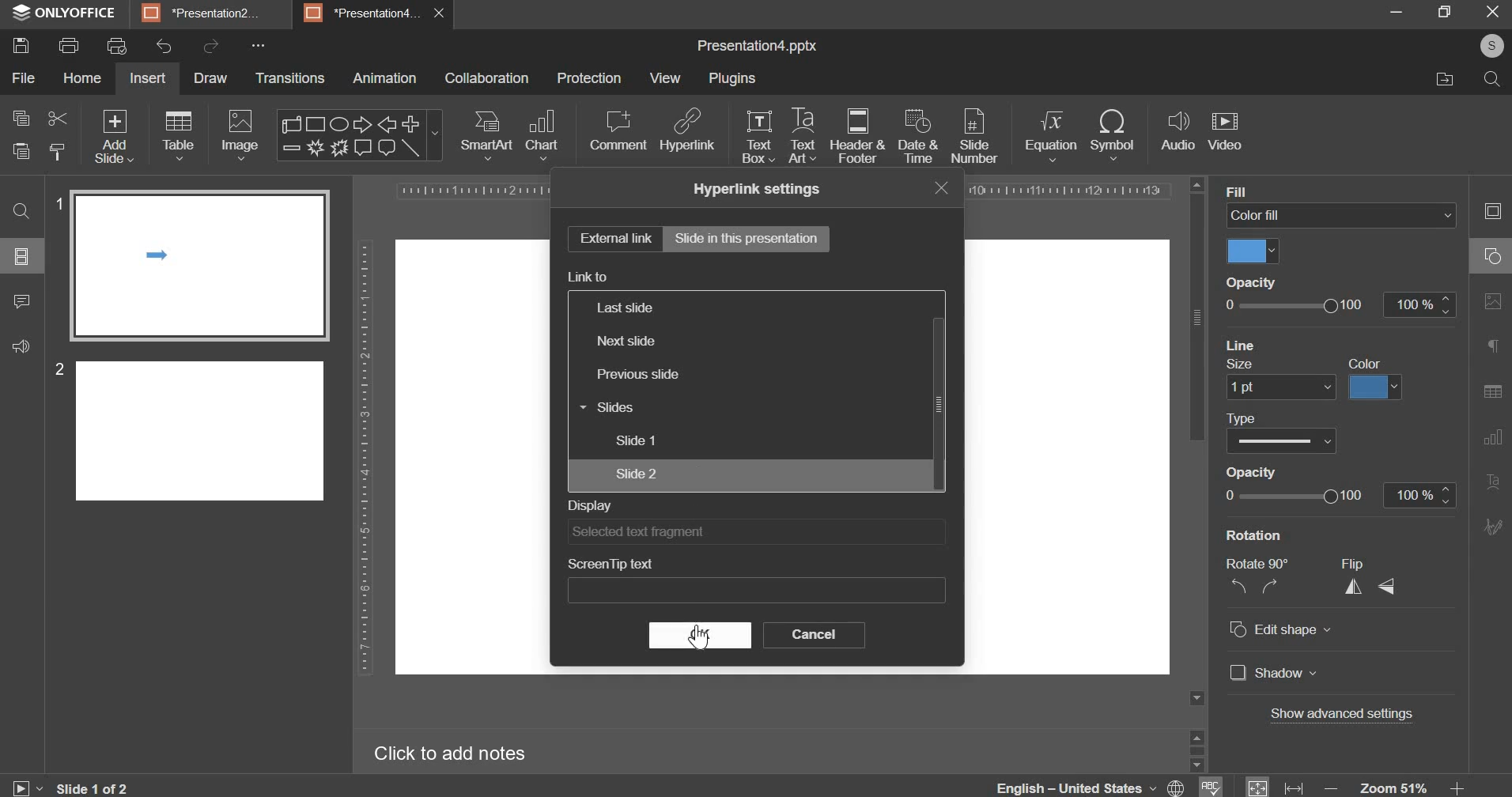  What do you see at coordinates (755, 531) in the screenshot?
I see `display` at bounding box center [755, 531].